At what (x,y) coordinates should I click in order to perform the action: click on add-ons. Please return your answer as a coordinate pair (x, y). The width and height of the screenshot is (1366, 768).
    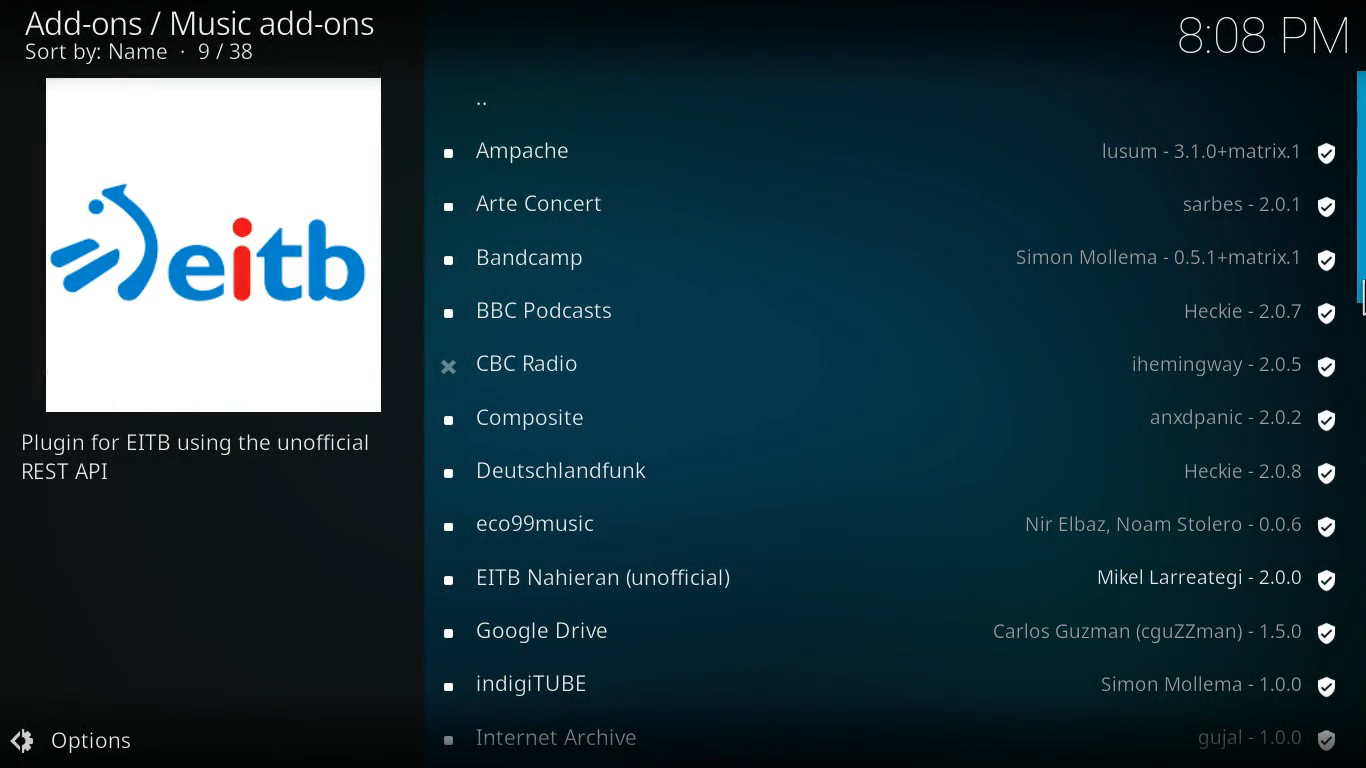
    Looking at the image, I should click on (552, 739).